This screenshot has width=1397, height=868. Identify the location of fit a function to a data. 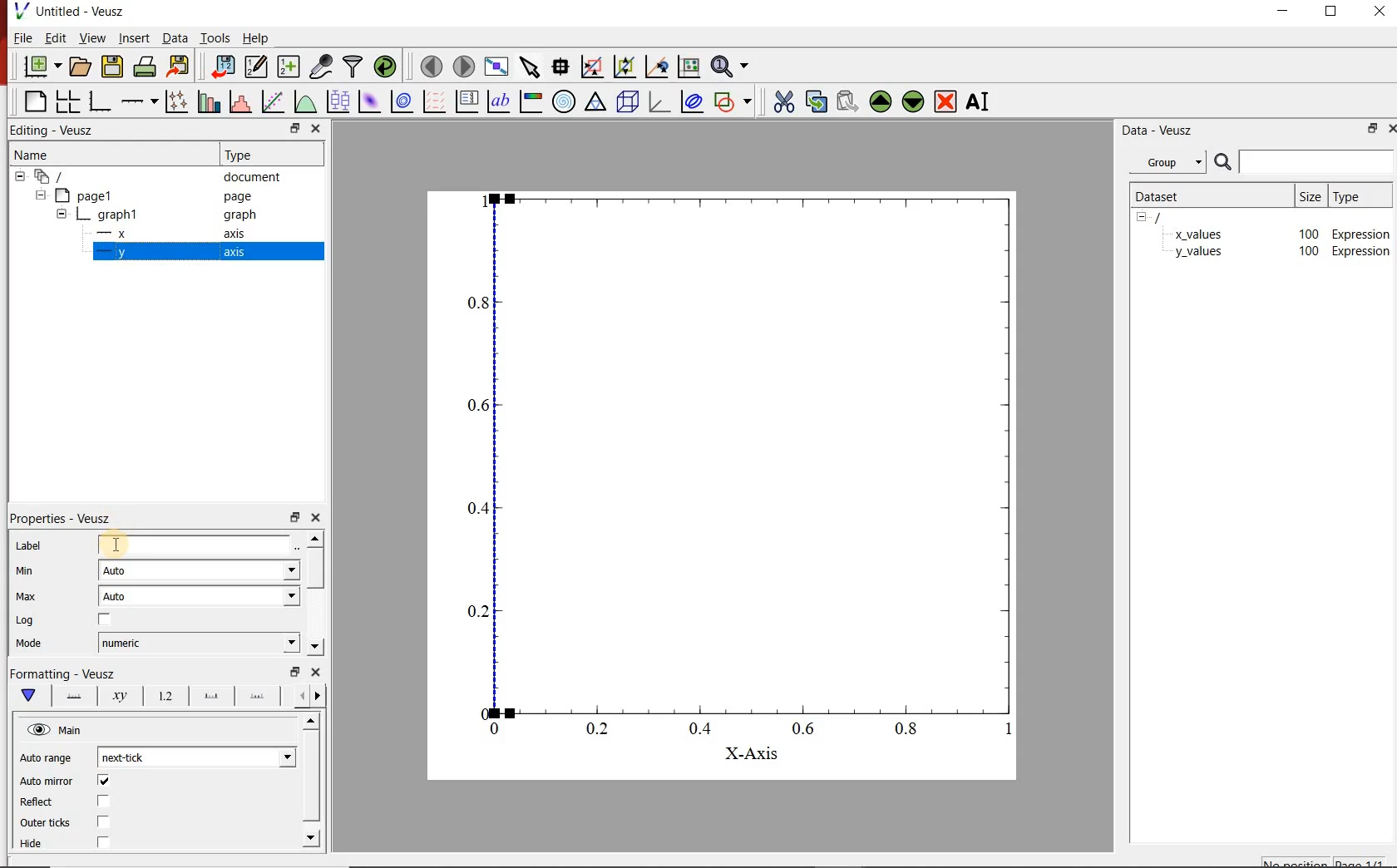
(273, 101).